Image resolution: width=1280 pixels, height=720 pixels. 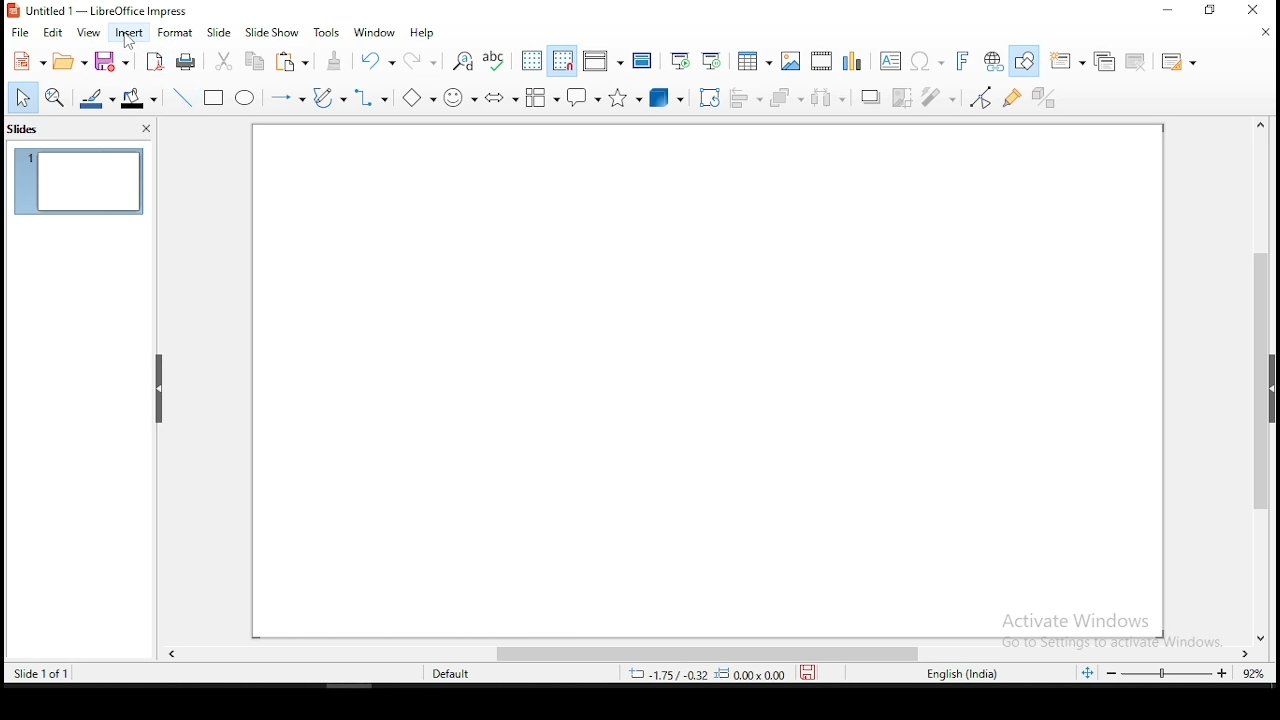 What do you see at coordinates (32, 129) in the screenshot?
I see `slides` at bounding box center [32, 129].